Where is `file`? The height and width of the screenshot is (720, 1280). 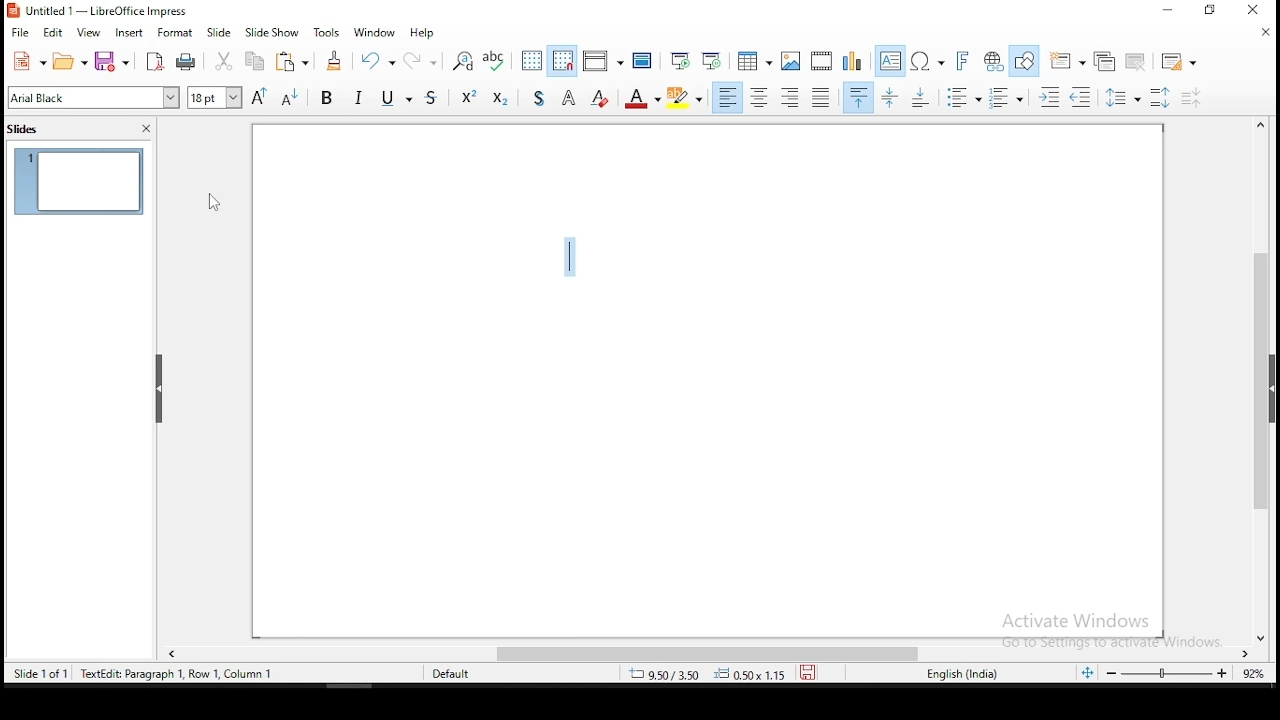
file is located at coordinates (20, 32).